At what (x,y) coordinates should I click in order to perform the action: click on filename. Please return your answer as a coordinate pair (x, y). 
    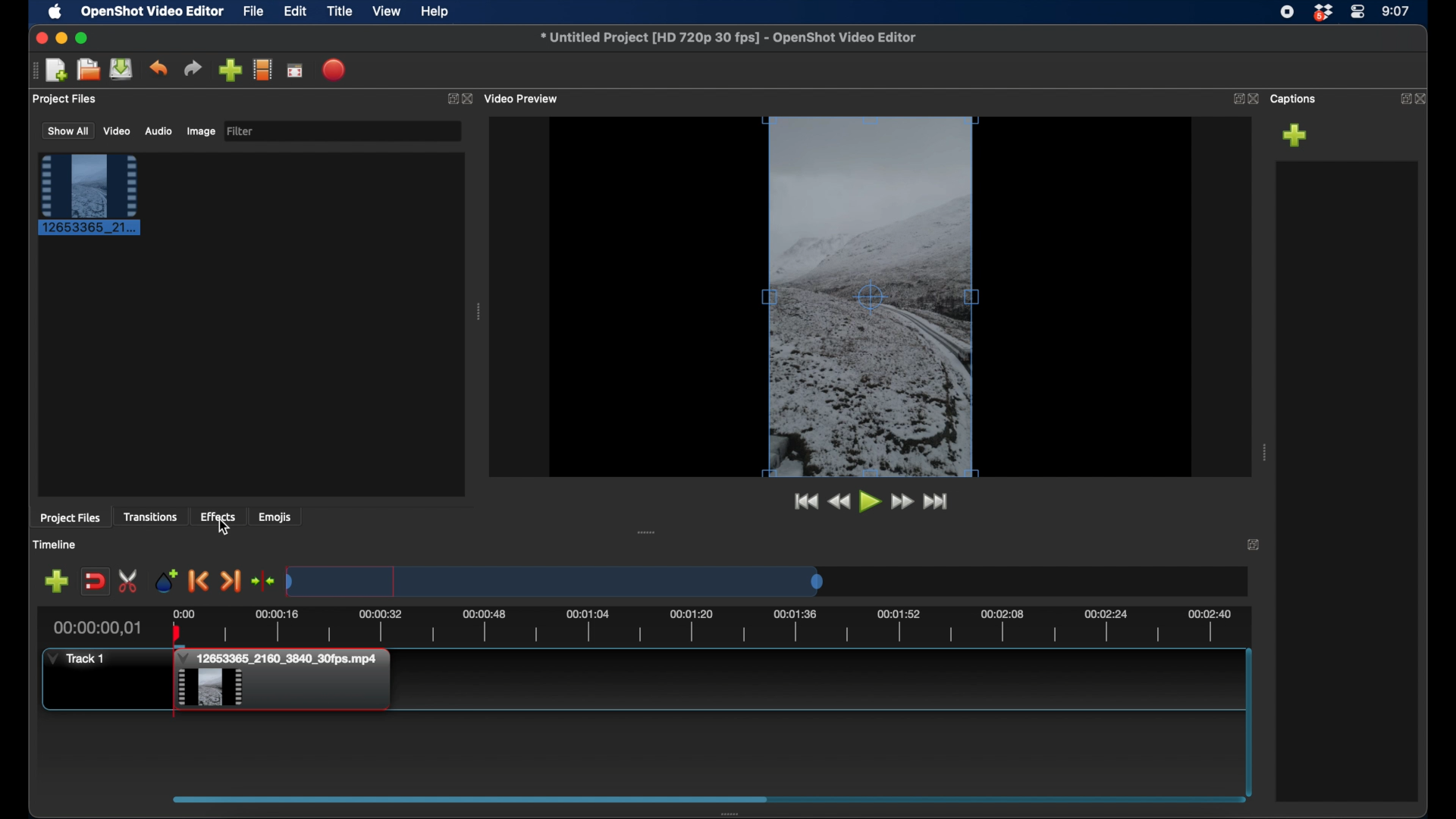
    Looking at the image, I should click on (727, 37).